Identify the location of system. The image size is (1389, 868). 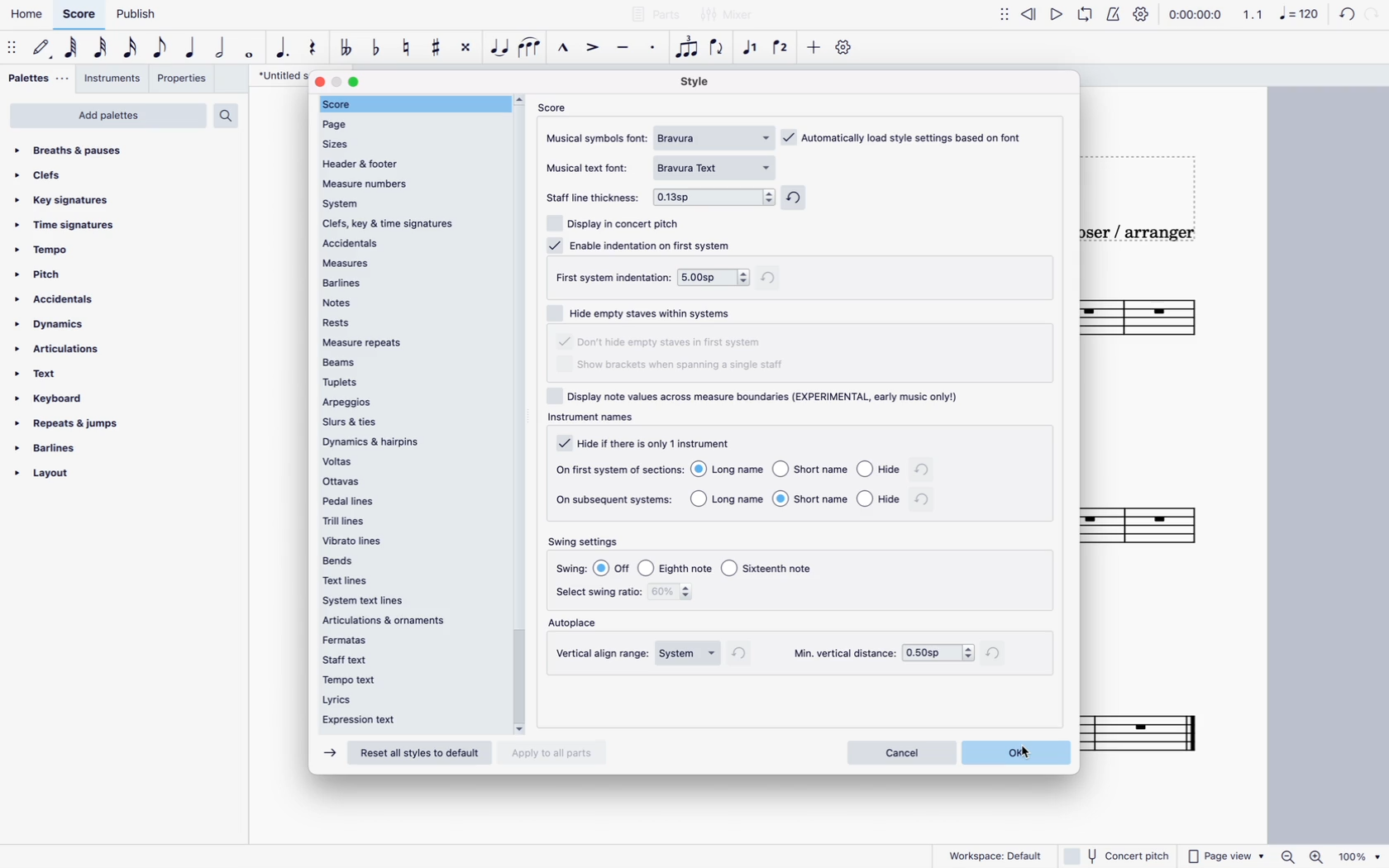
(689, 654).